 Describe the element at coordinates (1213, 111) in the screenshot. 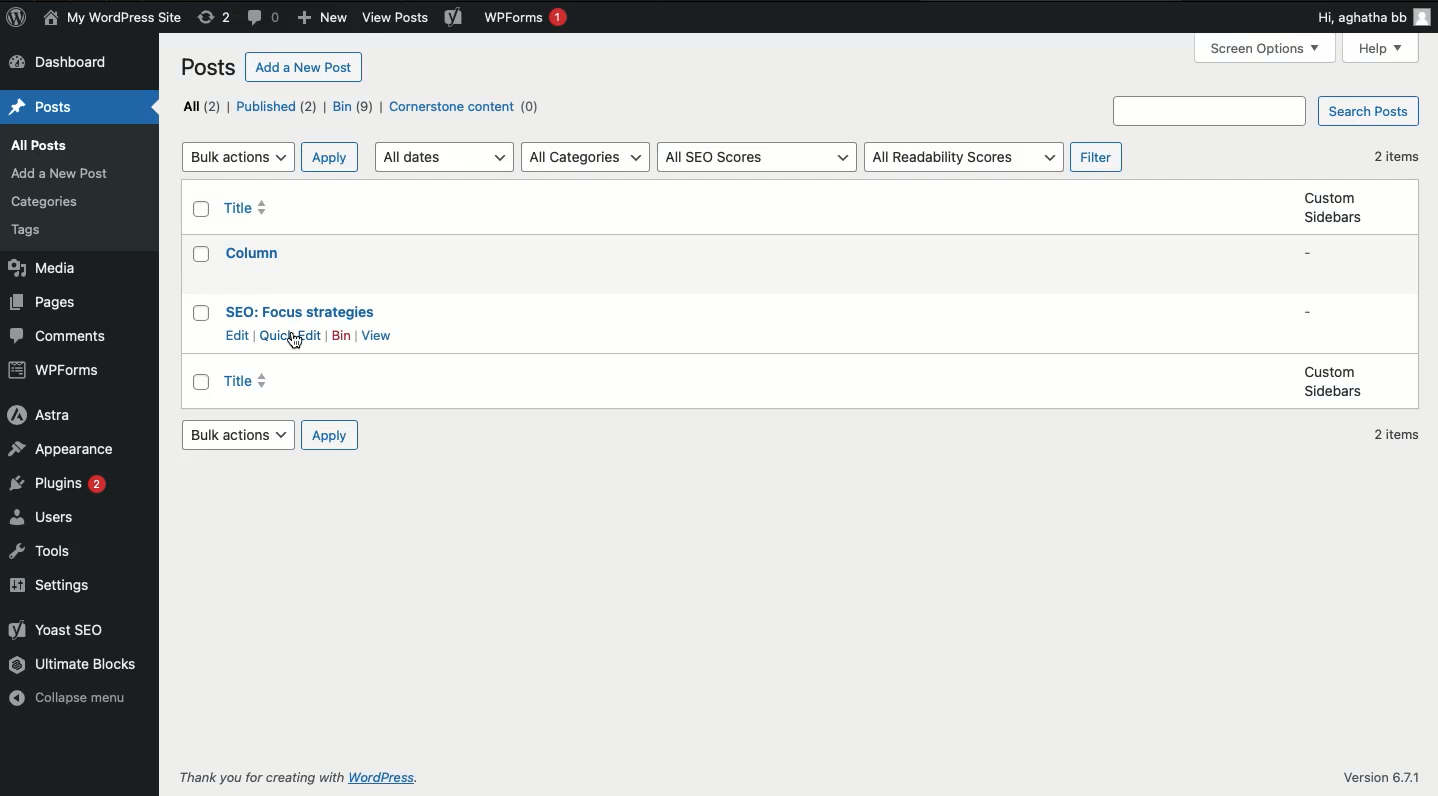

I see `Search` at that location.